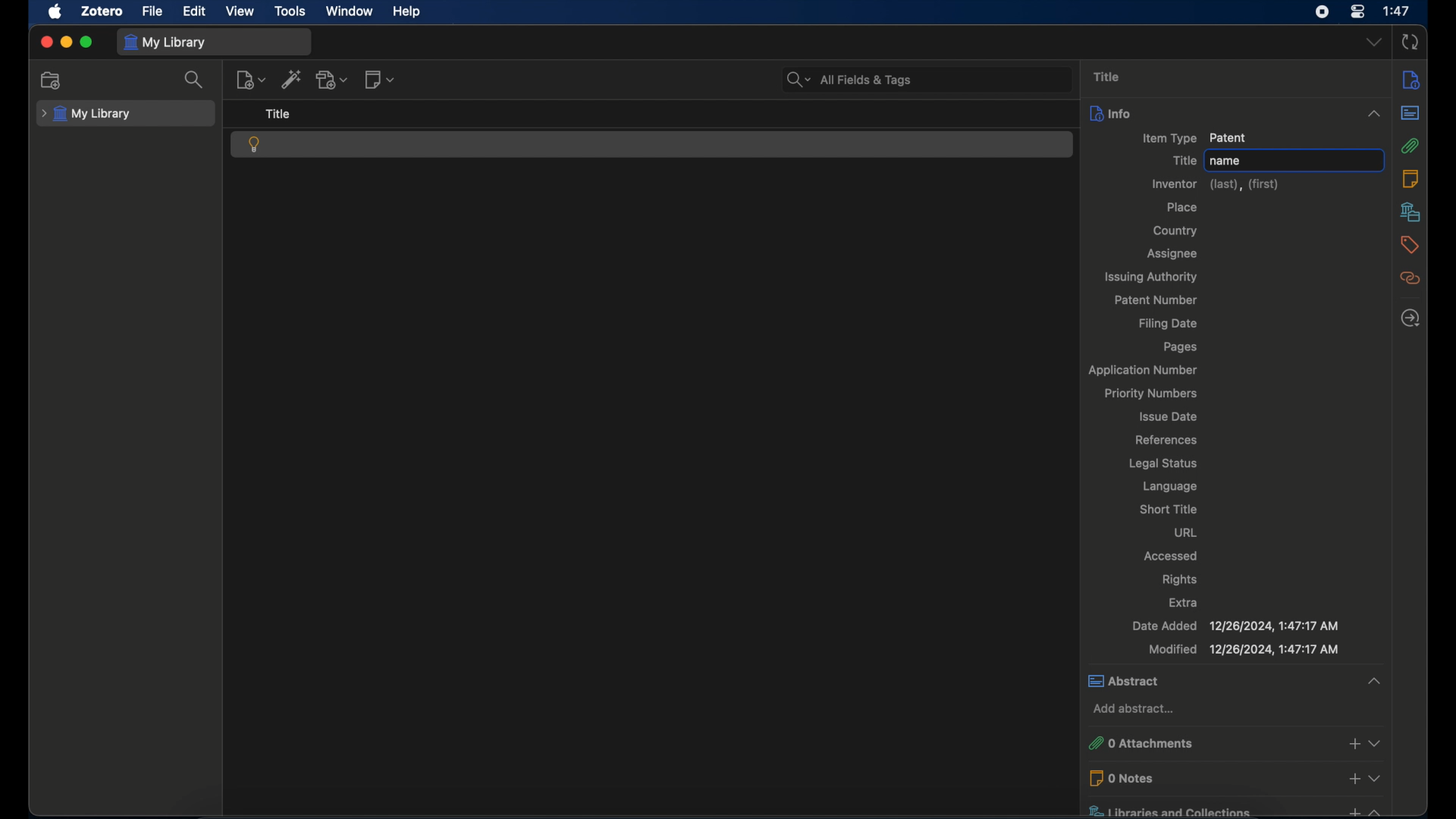 Image resolution: width=1456 pixels, height=819 pixels. What do you see at coordinates (1293, 160) in the screenshot?
I see `name` at bounding box center [1293, 160].